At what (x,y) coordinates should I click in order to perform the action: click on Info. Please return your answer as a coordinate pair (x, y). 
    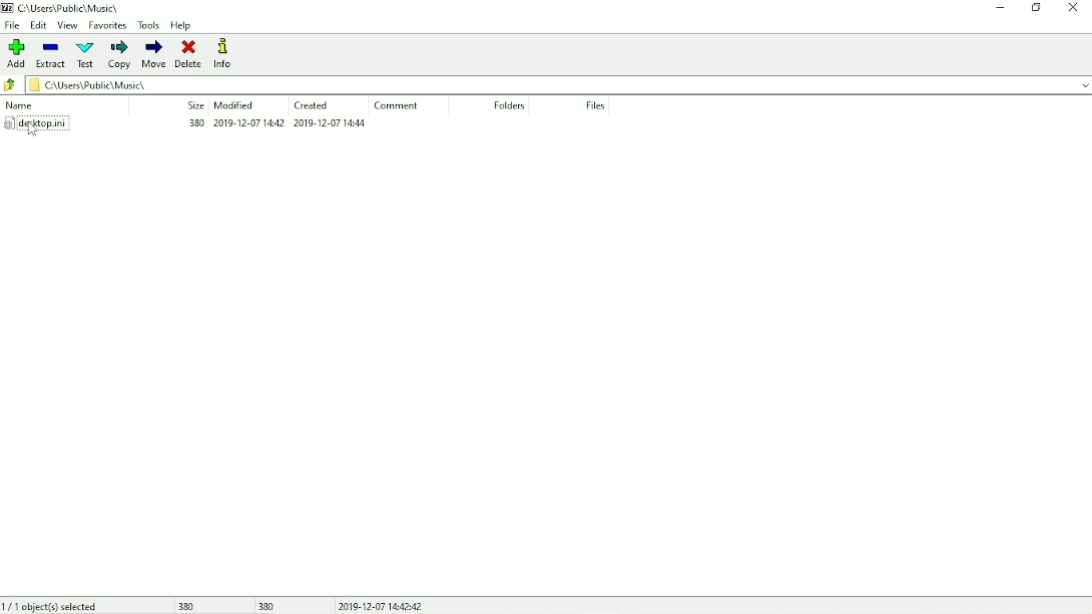
    Looking at the image, I should click on (223, 53).